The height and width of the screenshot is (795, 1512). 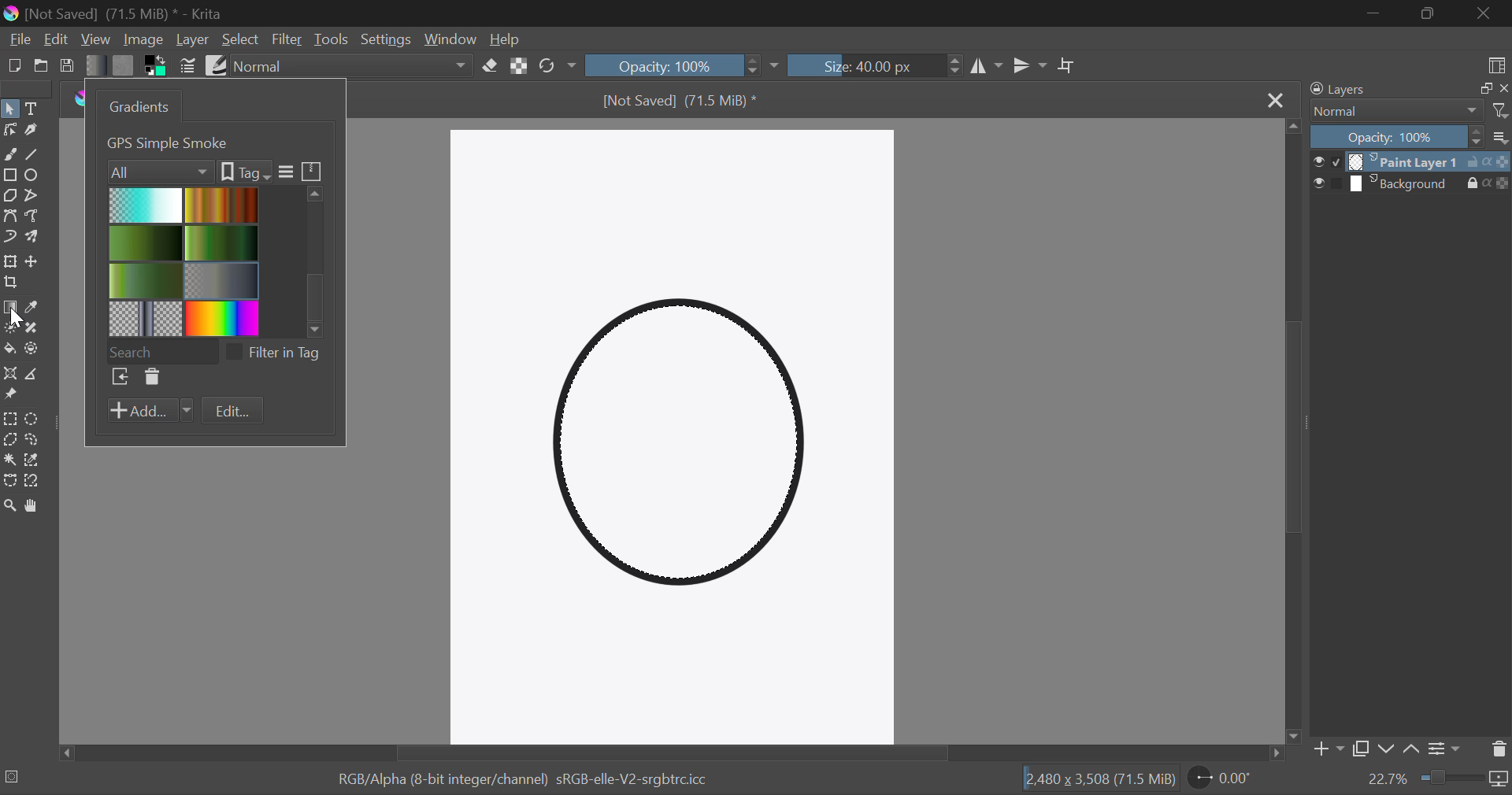 What do you see at coordinates (37, 375) in the screenshot?
I see `Measurement` at bounding box center [37, 375].